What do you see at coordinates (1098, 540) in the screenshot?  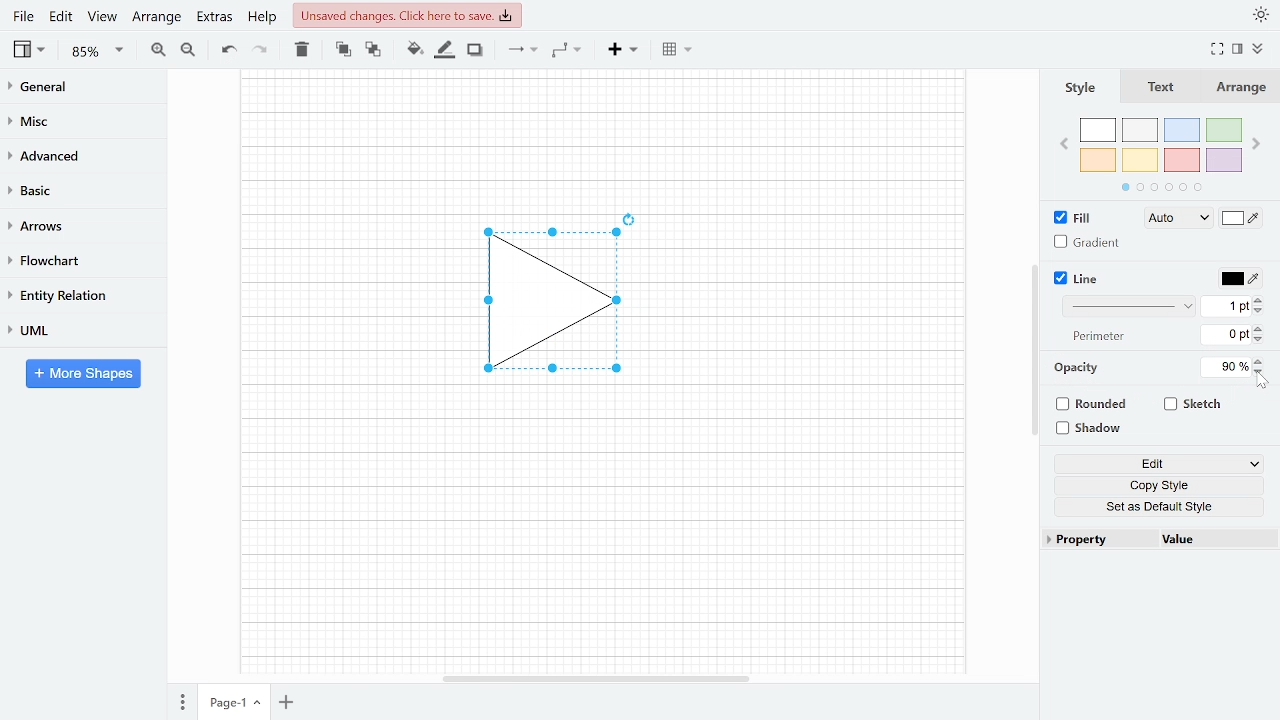 I see `Property` at bounding box center [1098, 540].